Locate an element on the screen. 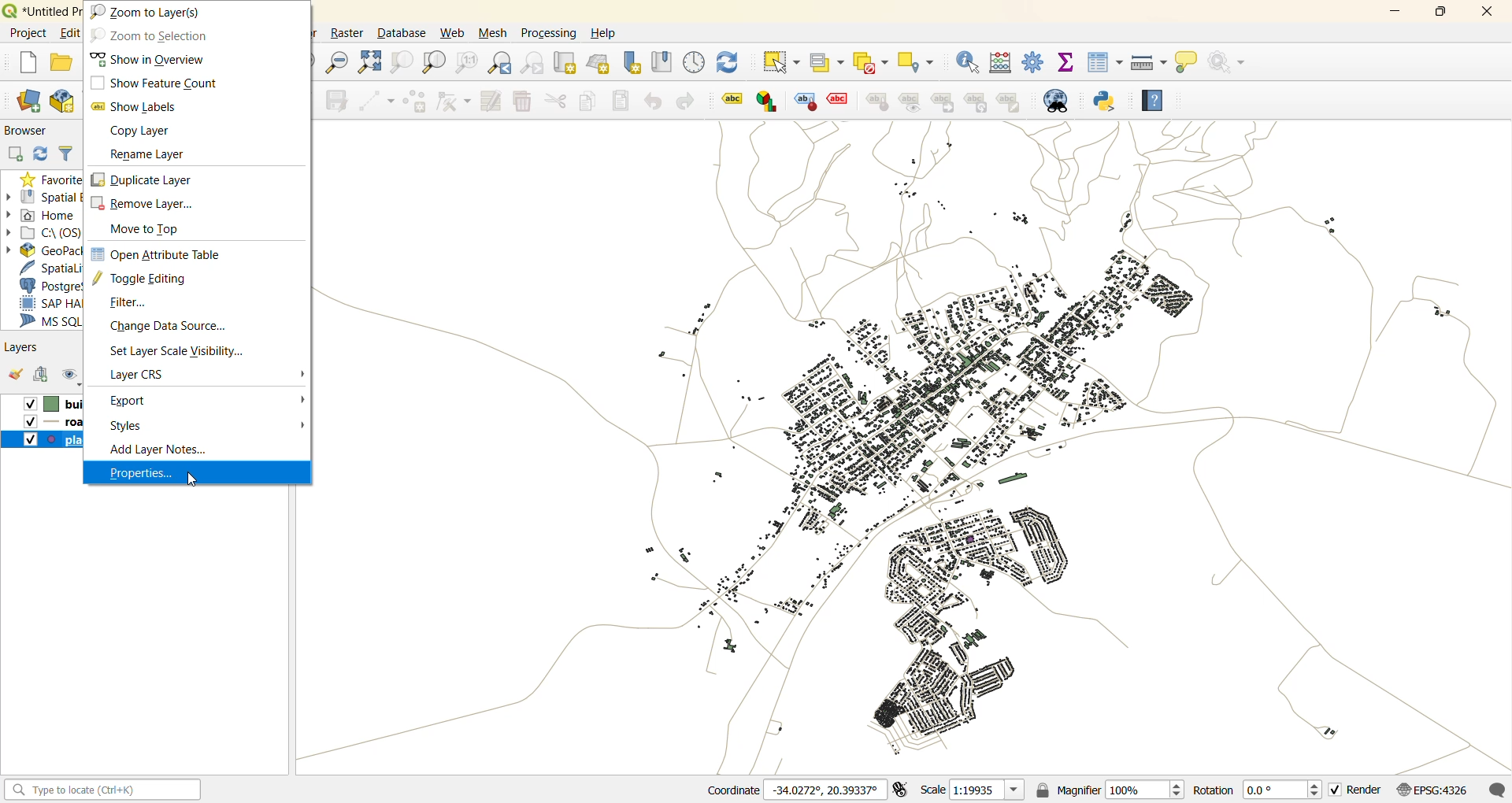 The width and height of the screenshot is (1512, 803). mesh is located at coordinates (492, 33).